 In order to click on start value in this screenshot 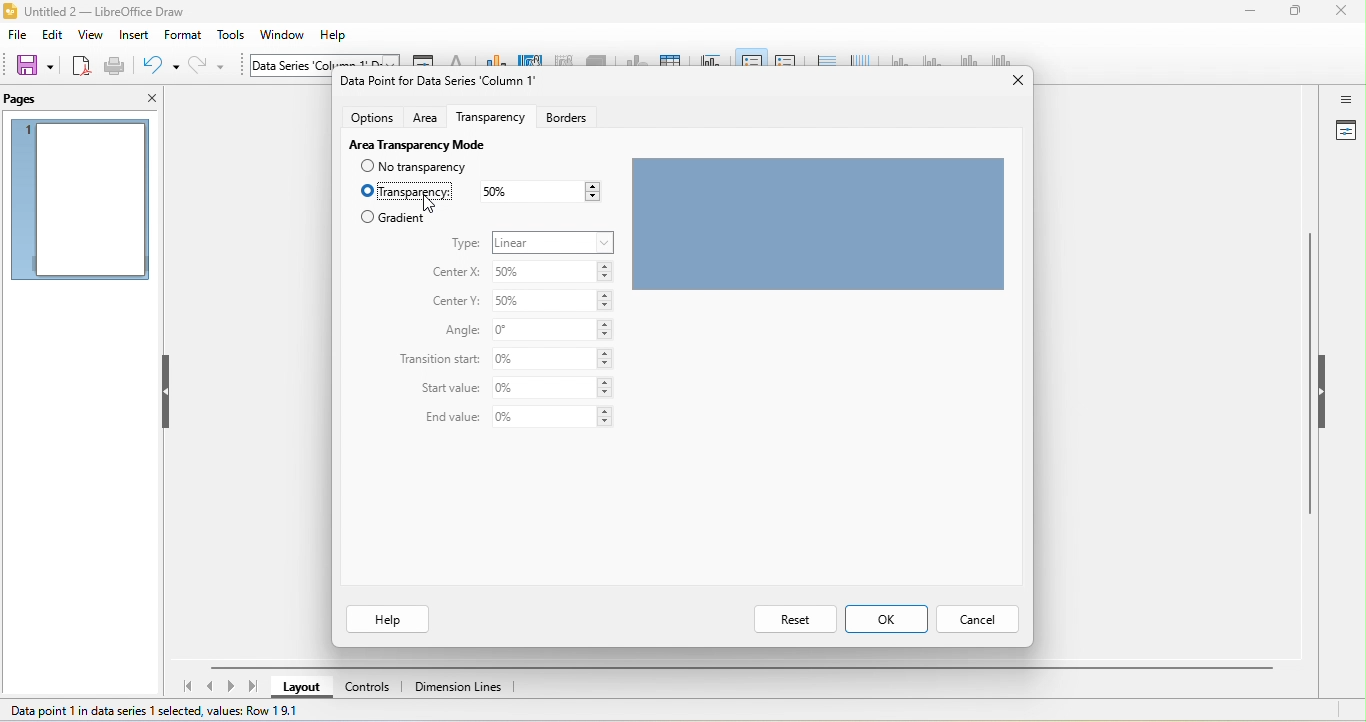, I will do `click(439, 388)`.